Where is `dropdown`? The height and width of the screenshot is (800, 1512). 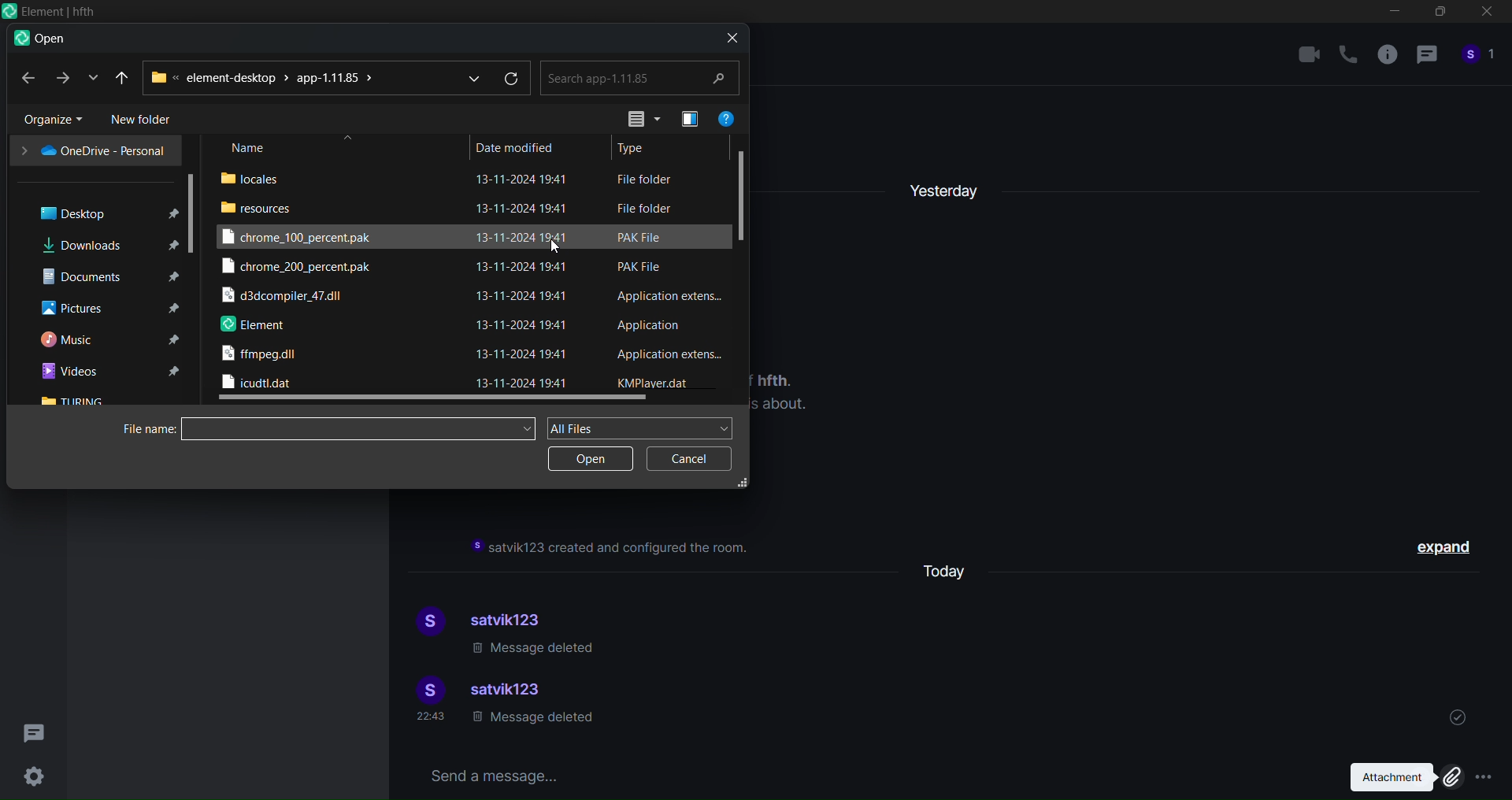 dropdown is located at coordinates (469, 76).